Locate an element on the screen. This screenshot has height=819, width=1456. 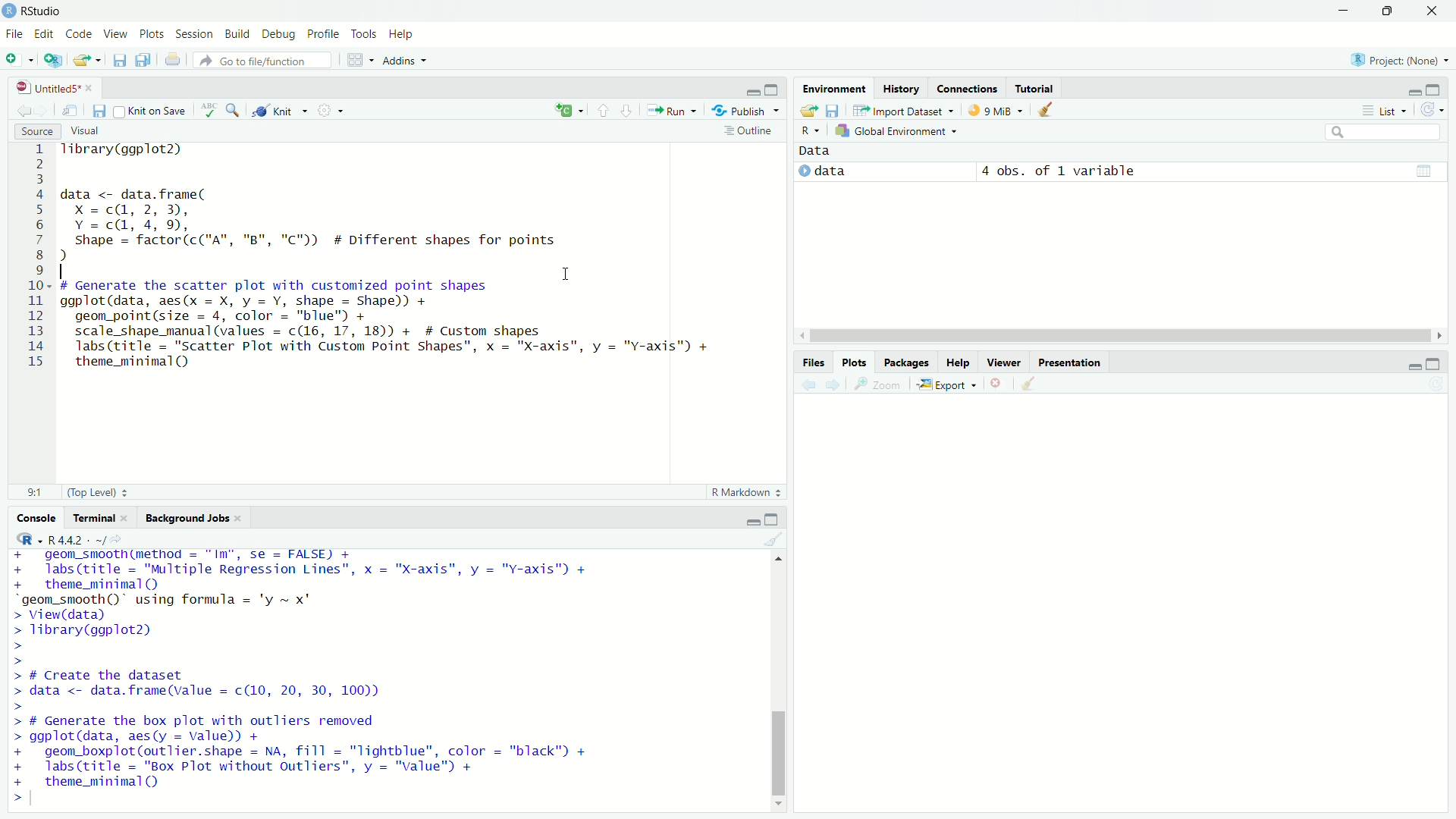
Refresh the list of objects in the environment is located at coordinates (1432, 109).